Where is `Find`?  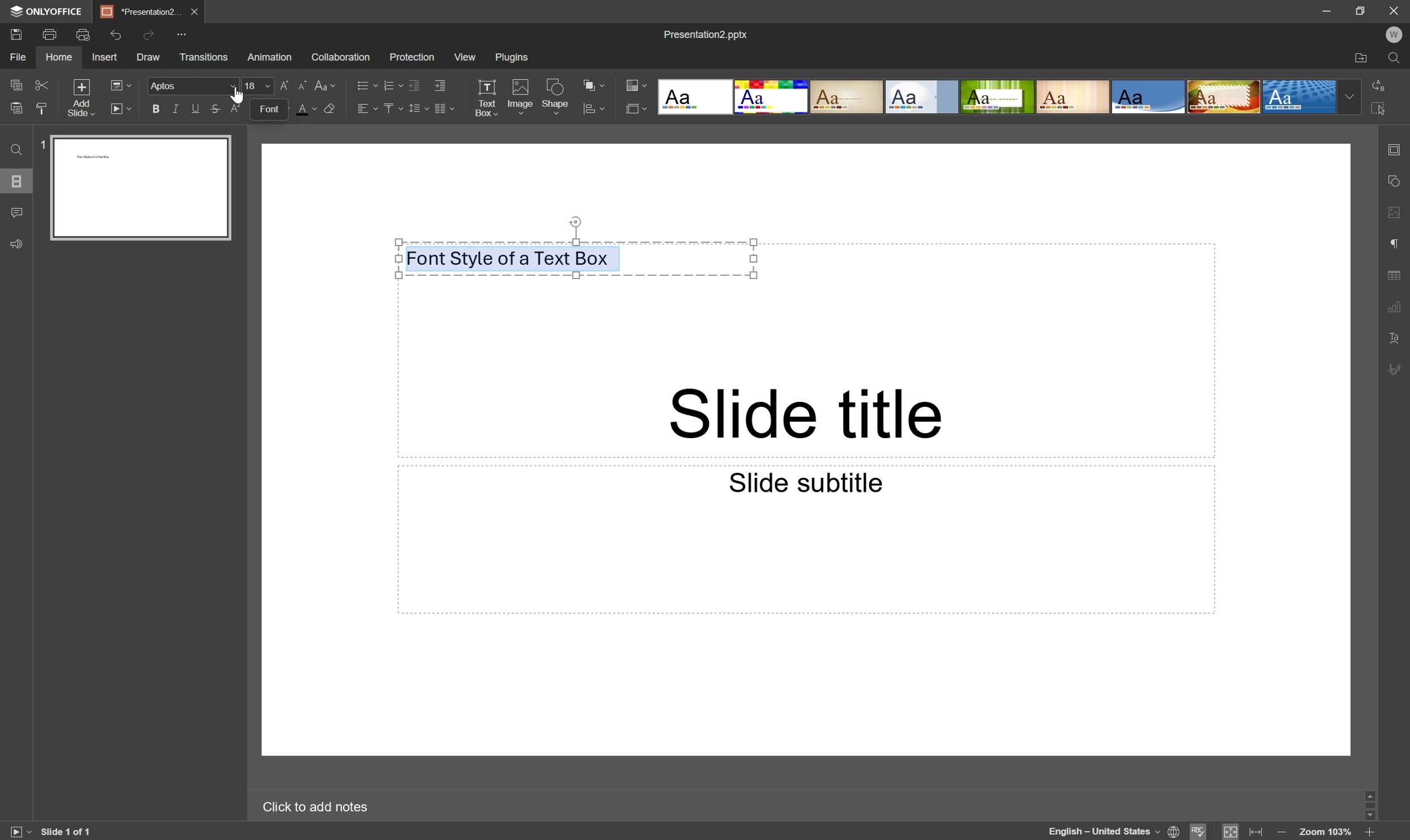
Find is located at coordinates (1396, 57).